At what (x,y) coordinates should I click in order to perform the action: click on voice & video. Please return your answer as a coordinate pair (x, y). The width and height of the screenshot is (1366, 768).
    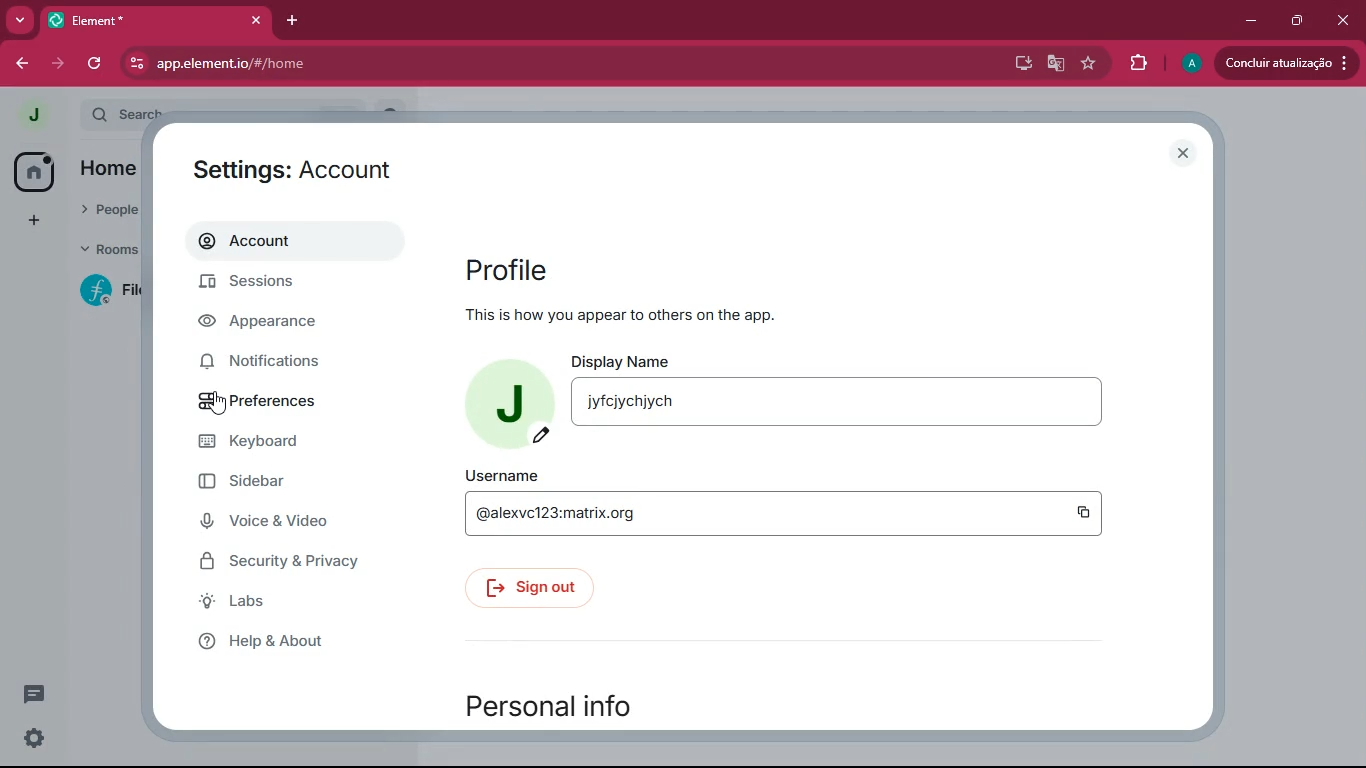
    Looking at the image, I should click on (286, 523).